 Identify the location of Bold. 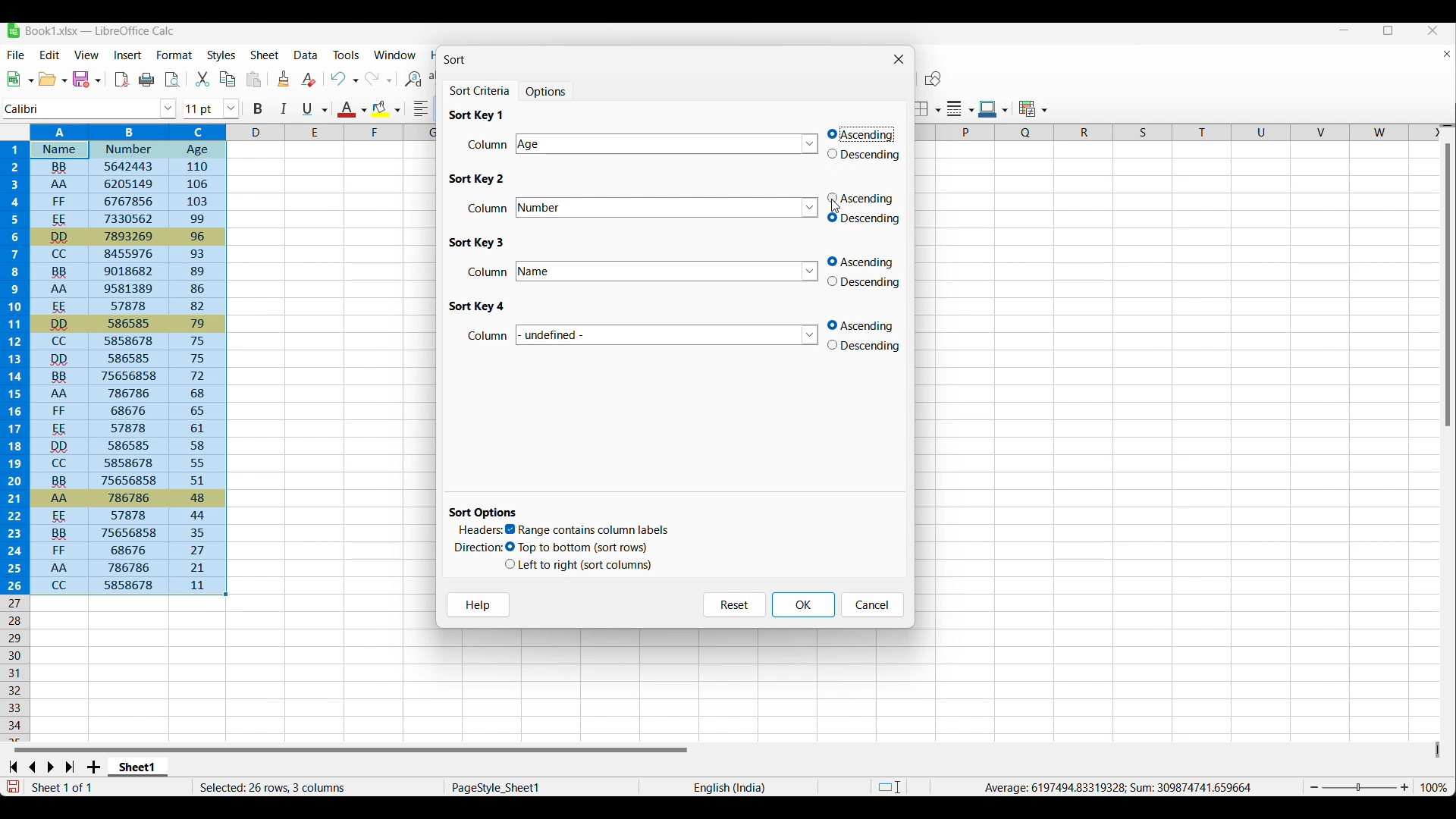
(258, 109).